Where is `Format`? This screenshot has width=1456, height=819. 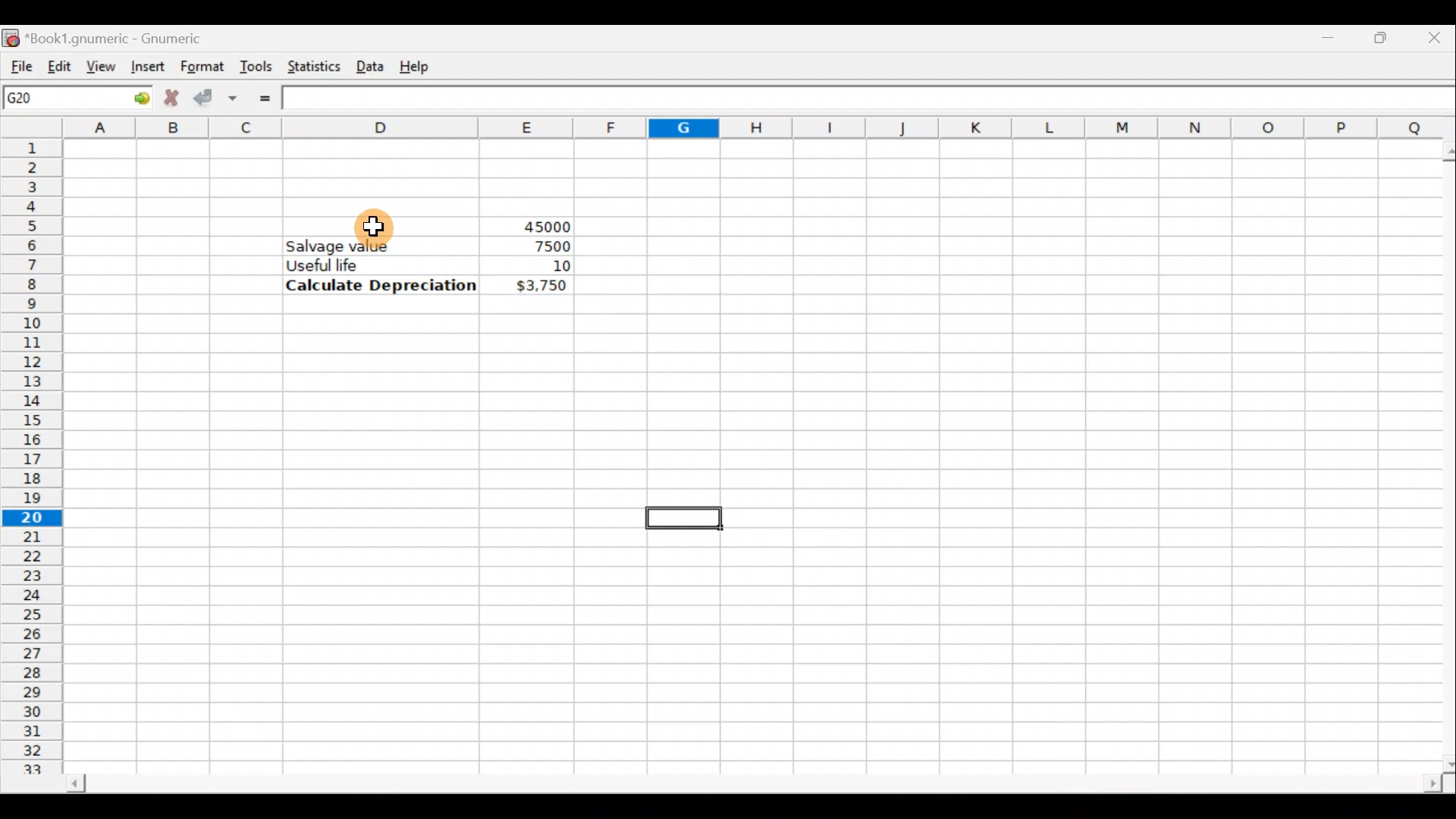 Format is located at coordinates (201, 67).